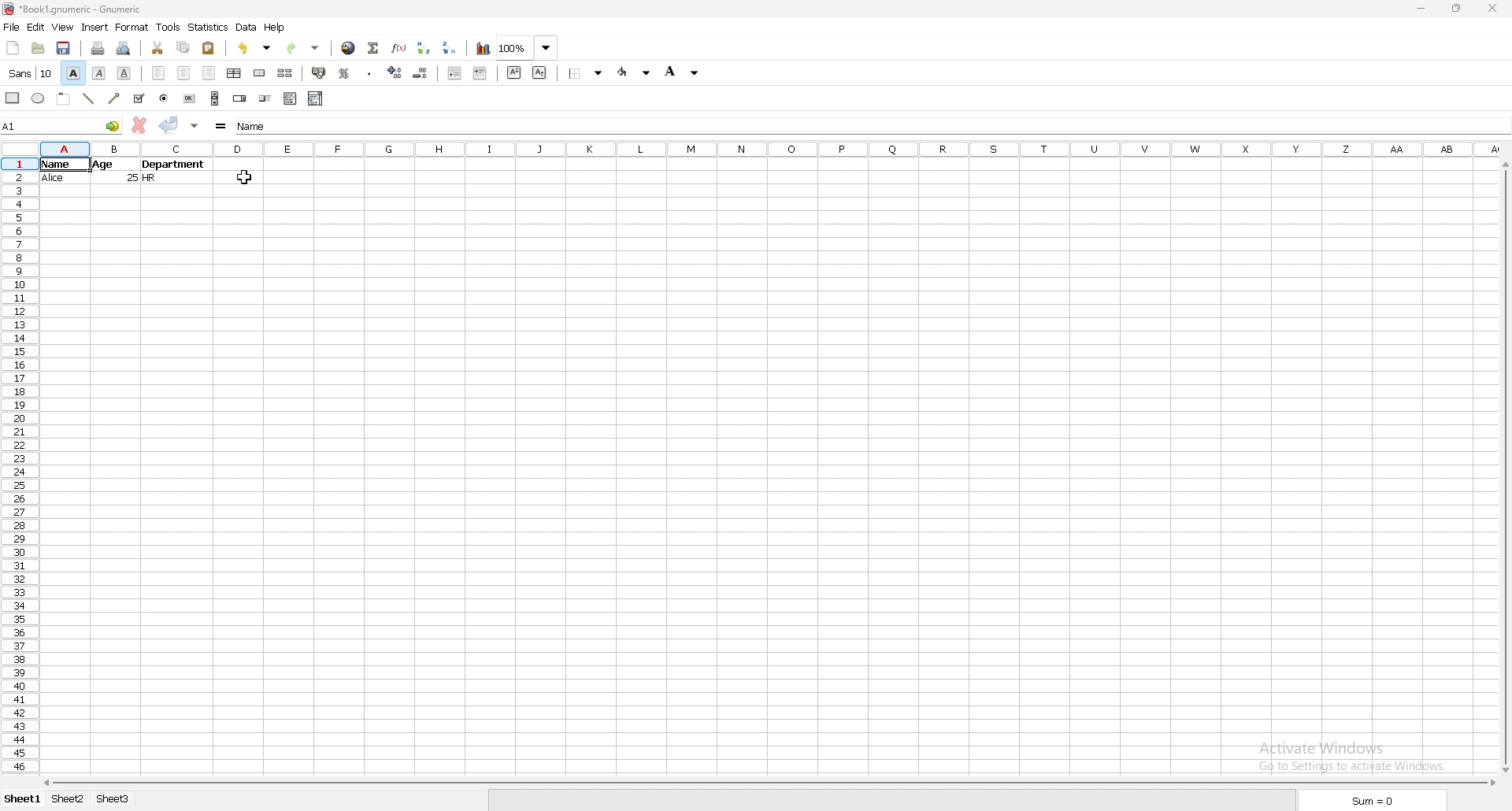 This screenshot has width=1512, height=811. What do you see at coordinates (450, 47) in the screenshot?
I see `sort descending` at bounding box center [450, 47].